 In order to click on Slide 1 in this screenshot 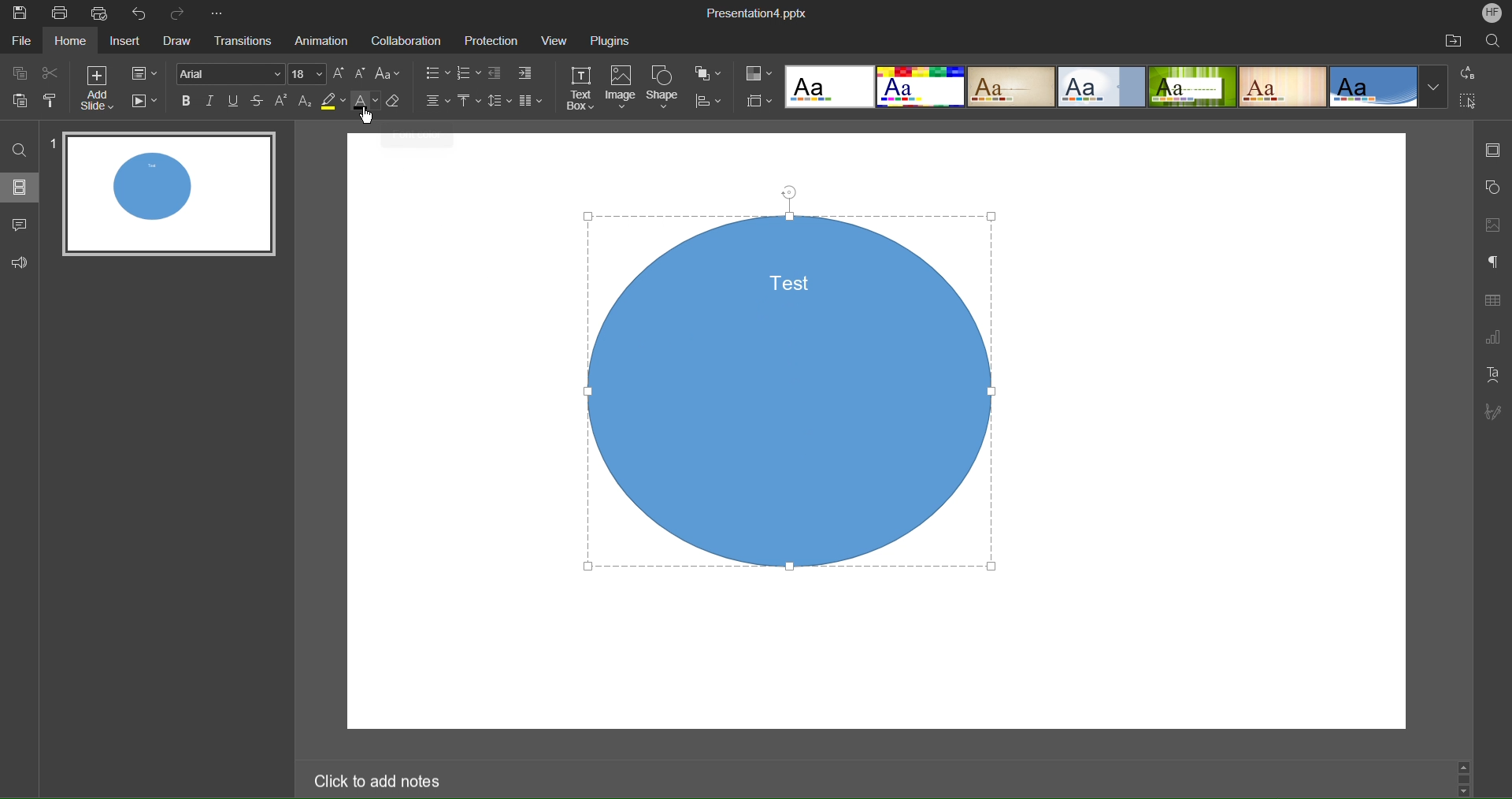, I will do `click(171, 196)`.